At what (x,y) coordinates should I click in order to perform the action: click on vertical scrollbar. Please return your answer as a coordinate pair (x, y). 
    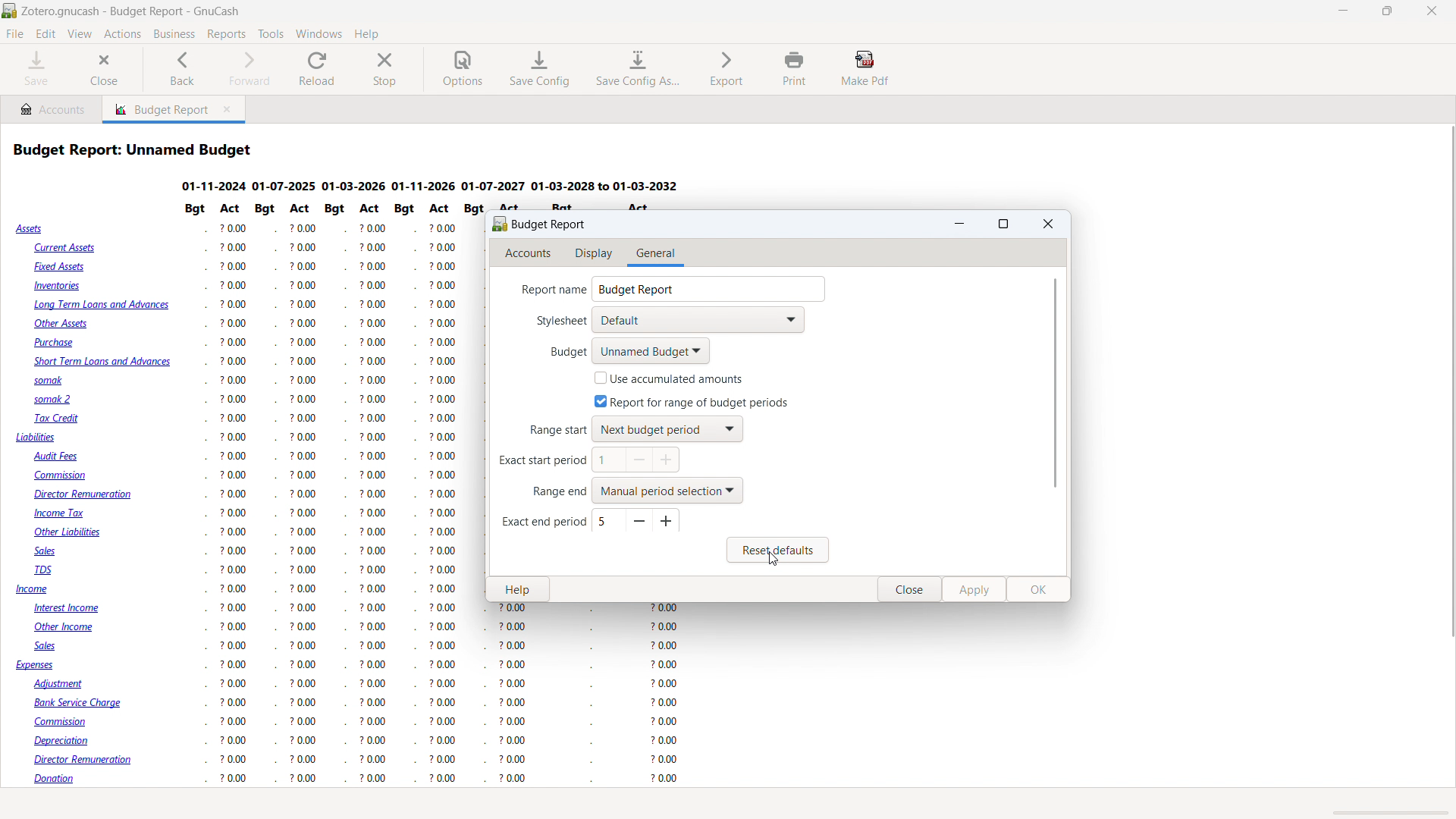
    Looking at the image, I should click on (1447, 362).